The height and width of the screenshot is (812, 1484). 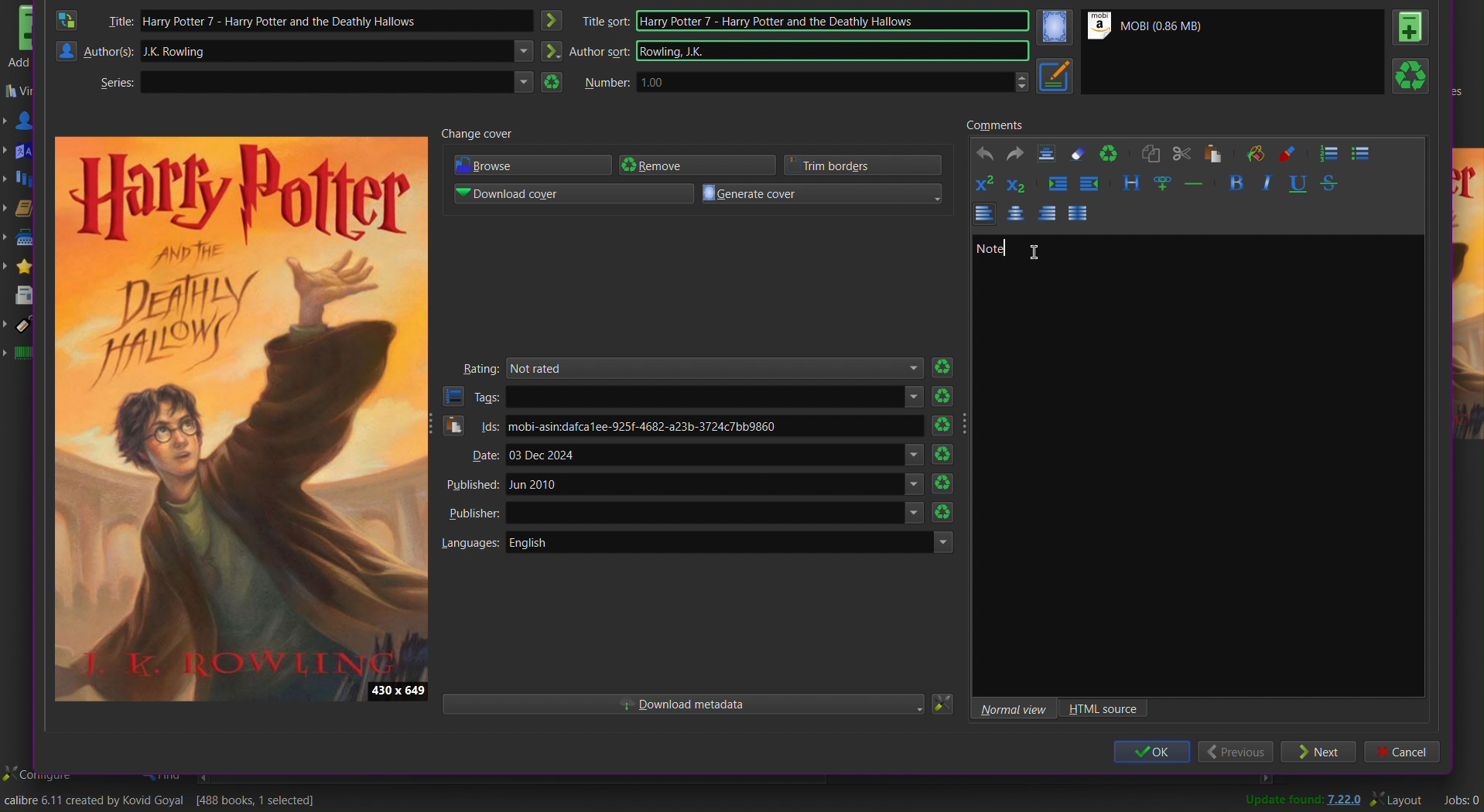 I want to click on Tags, so click(x=22, y=326).